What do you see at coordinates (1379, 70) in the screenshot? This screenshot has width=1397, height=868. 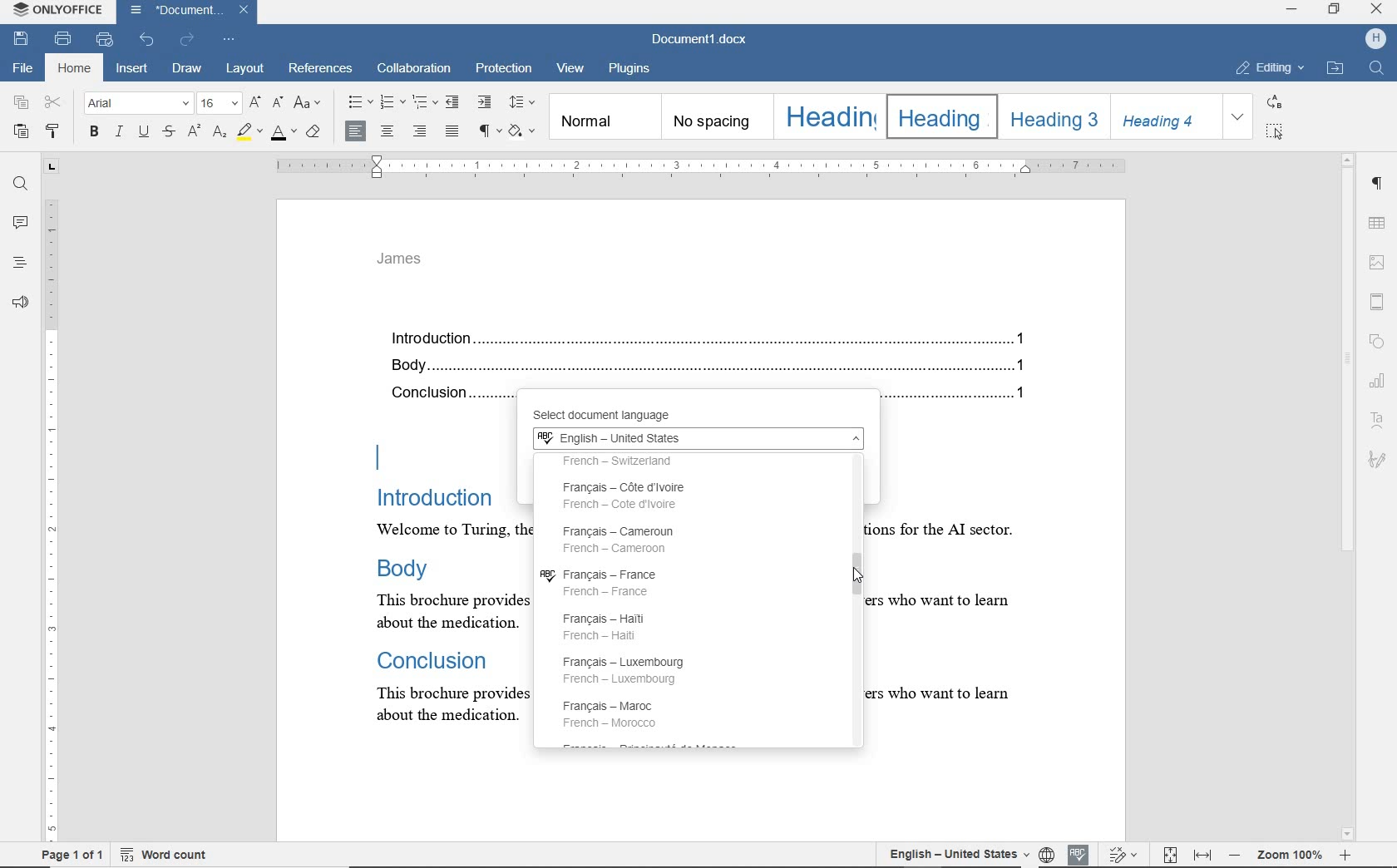 I see `FIND` at bounding box center [1379, 70].